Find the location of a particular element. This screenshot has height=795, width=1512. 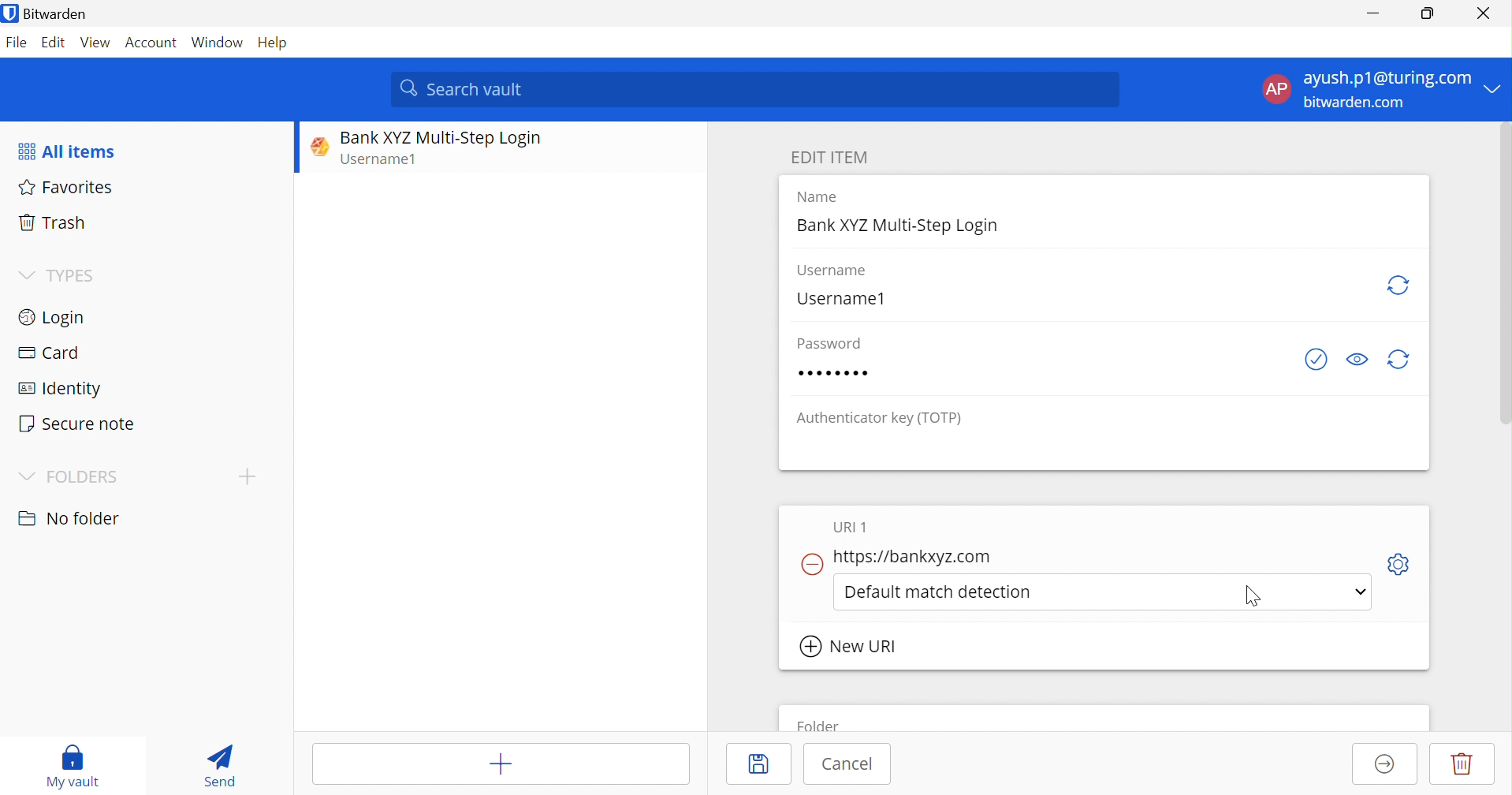

Drop Down is located at coordinates (26, 476).